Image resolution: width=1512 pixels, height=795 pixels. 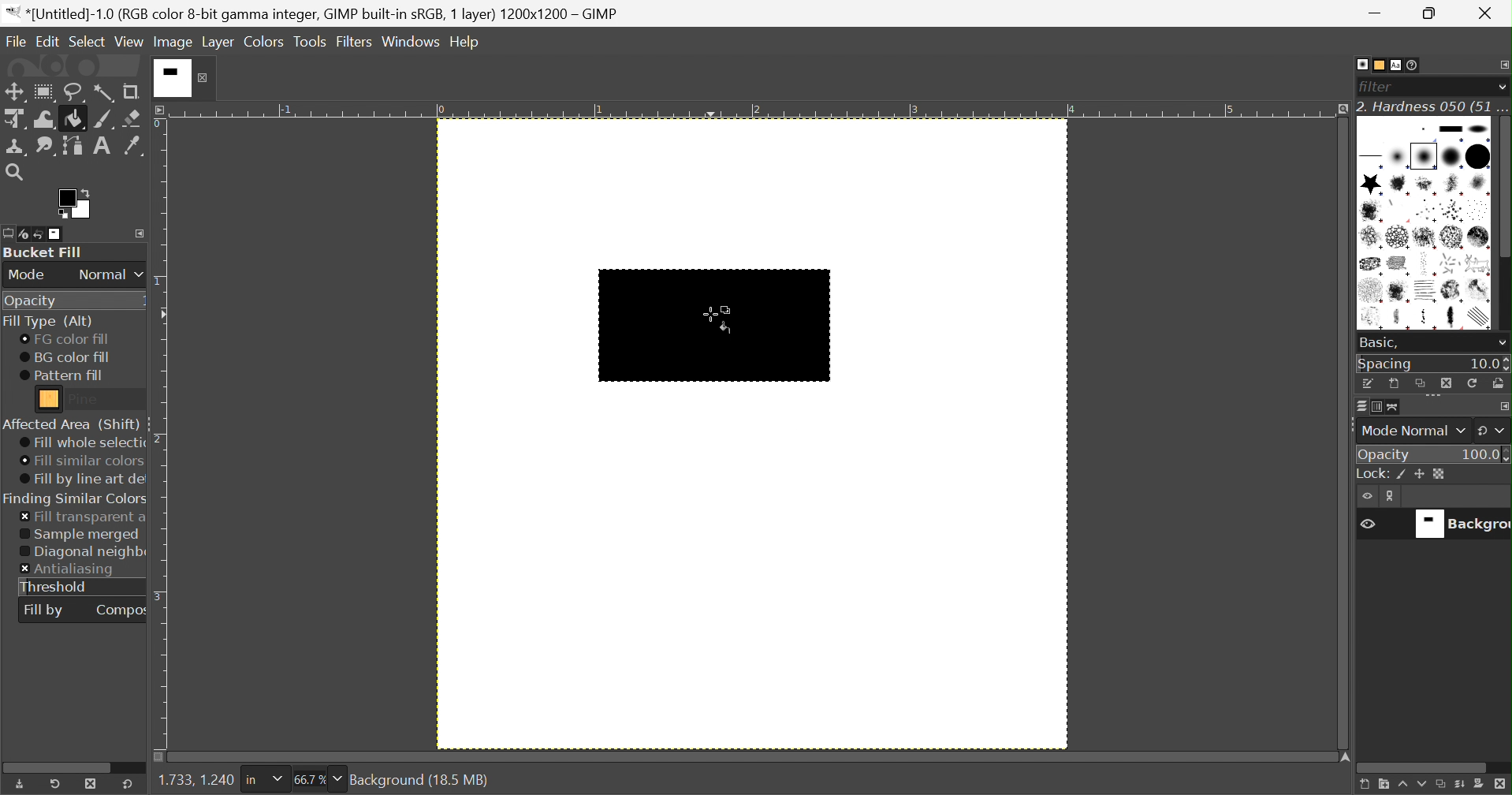 What do you see at coordinates (128, 783) in the screenshot?
I see `Reset to default values` at bounding box center [128, 783].